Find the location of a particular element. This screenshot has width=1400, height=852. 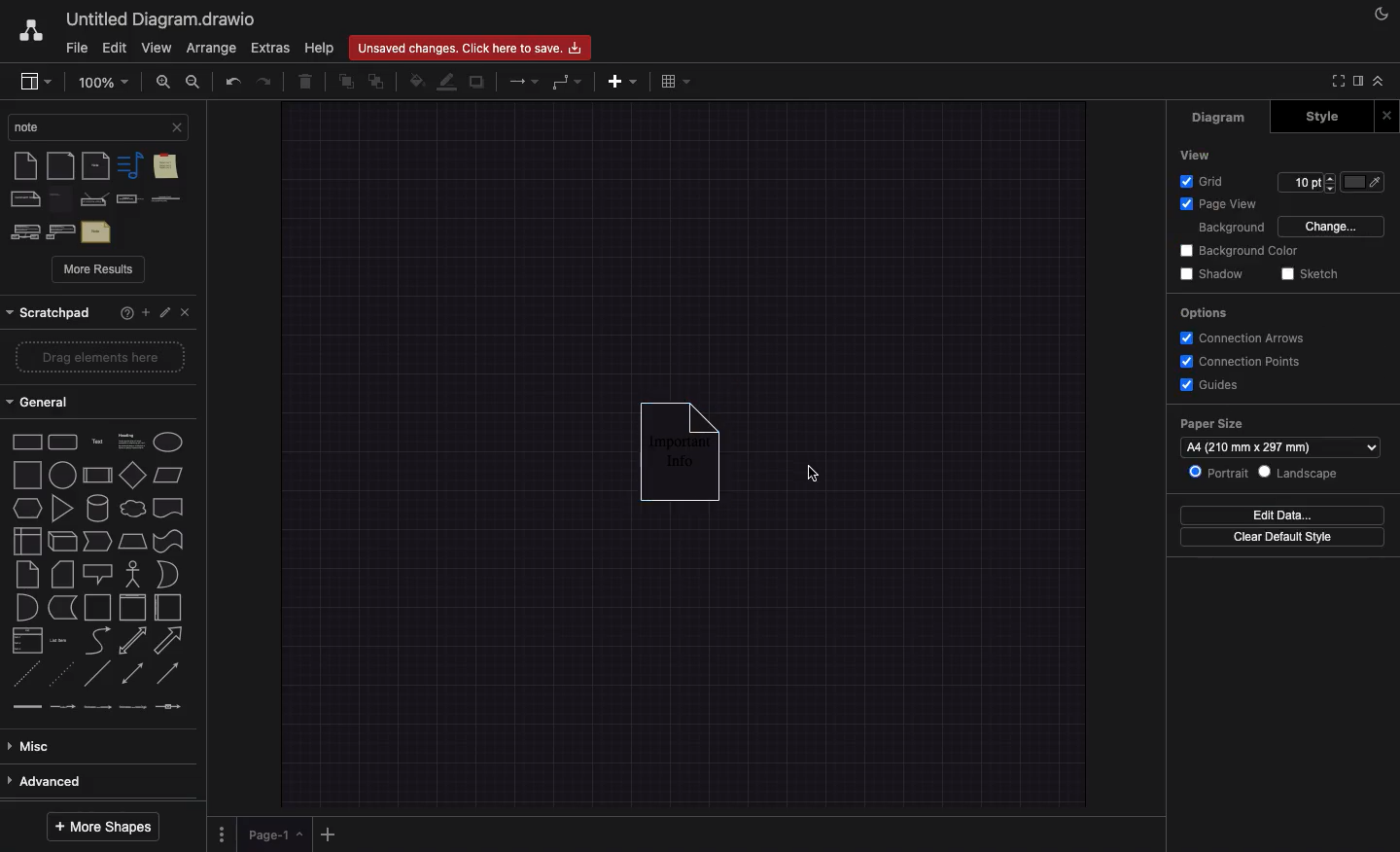

note is located at coordinates (128, 165).